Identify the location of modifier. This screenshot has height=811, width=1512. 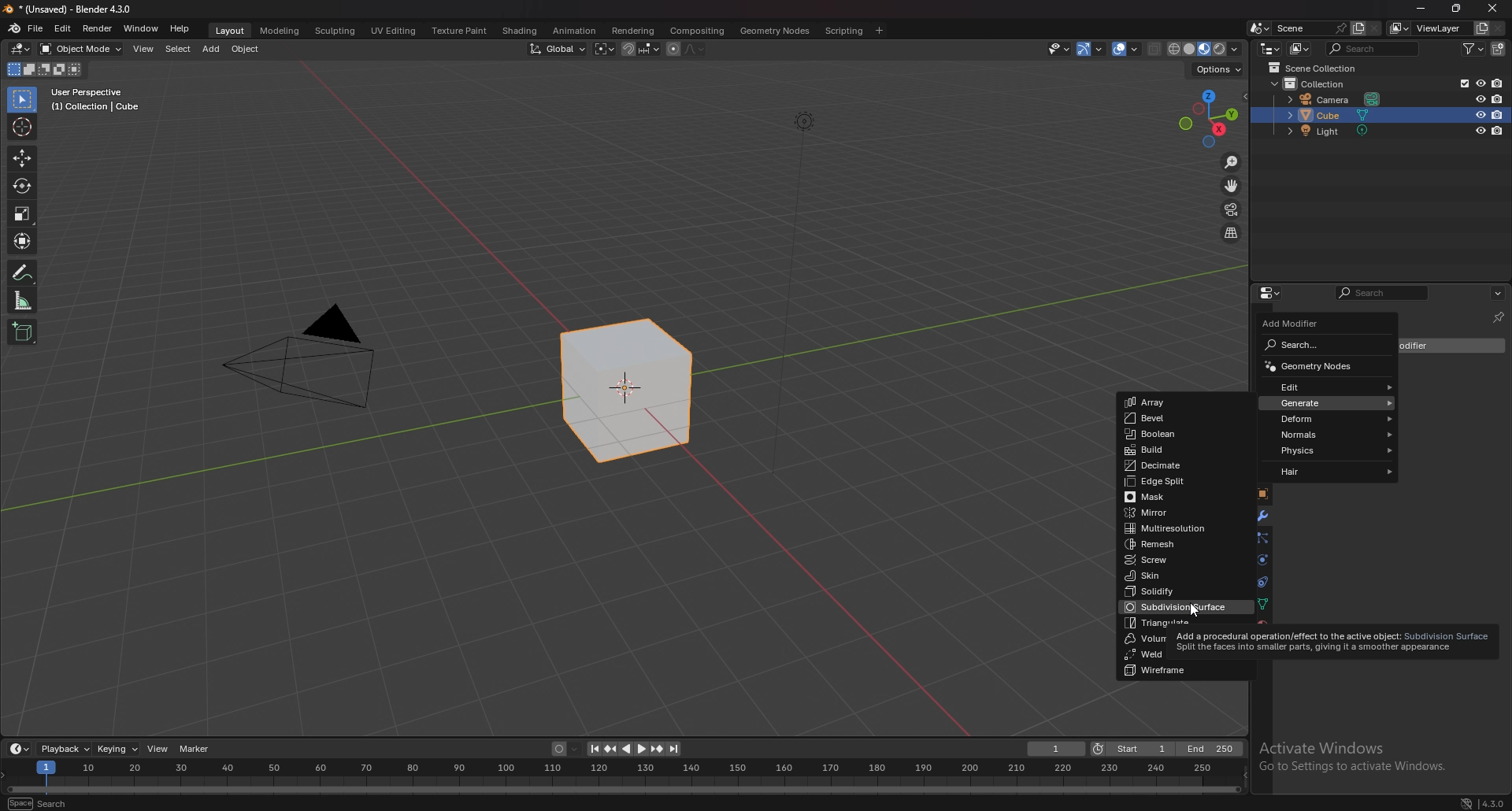
(1261, 517).